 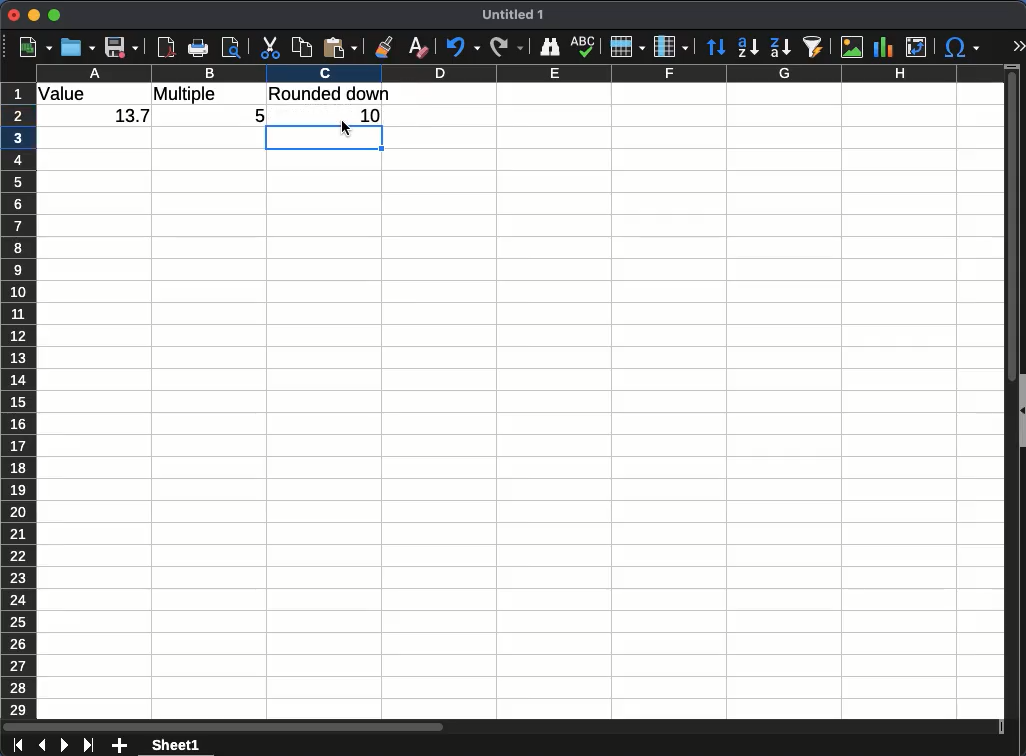 What do you see at coordinates (119, 744) in the screenshot?
I see `add sheet` at bounding box center [119, 744].